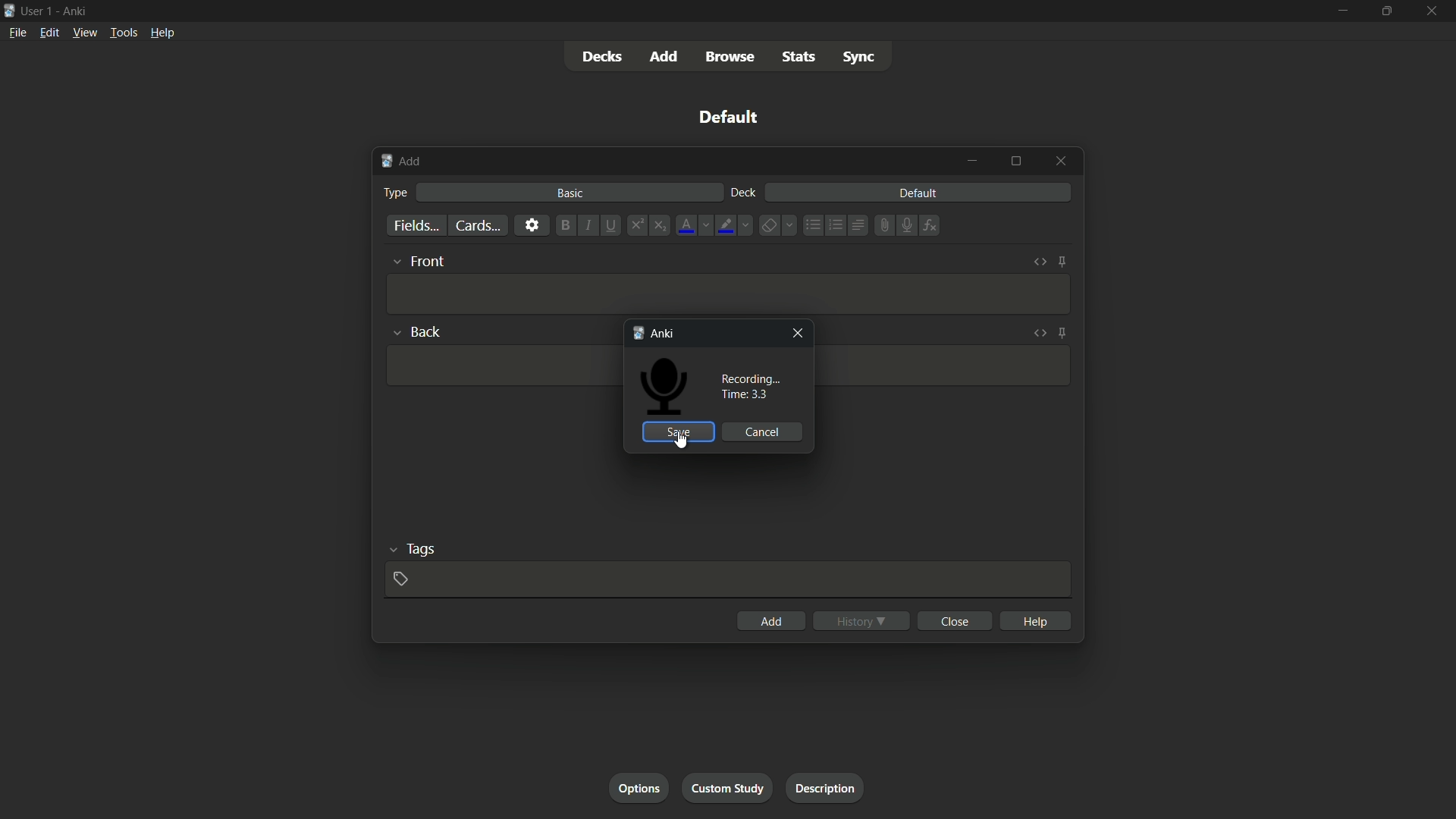 The width and height of the screenshot is (1456, 819). Describe the element at coordinates (682, 442) in the screenshot. I see `cursor` at that location.